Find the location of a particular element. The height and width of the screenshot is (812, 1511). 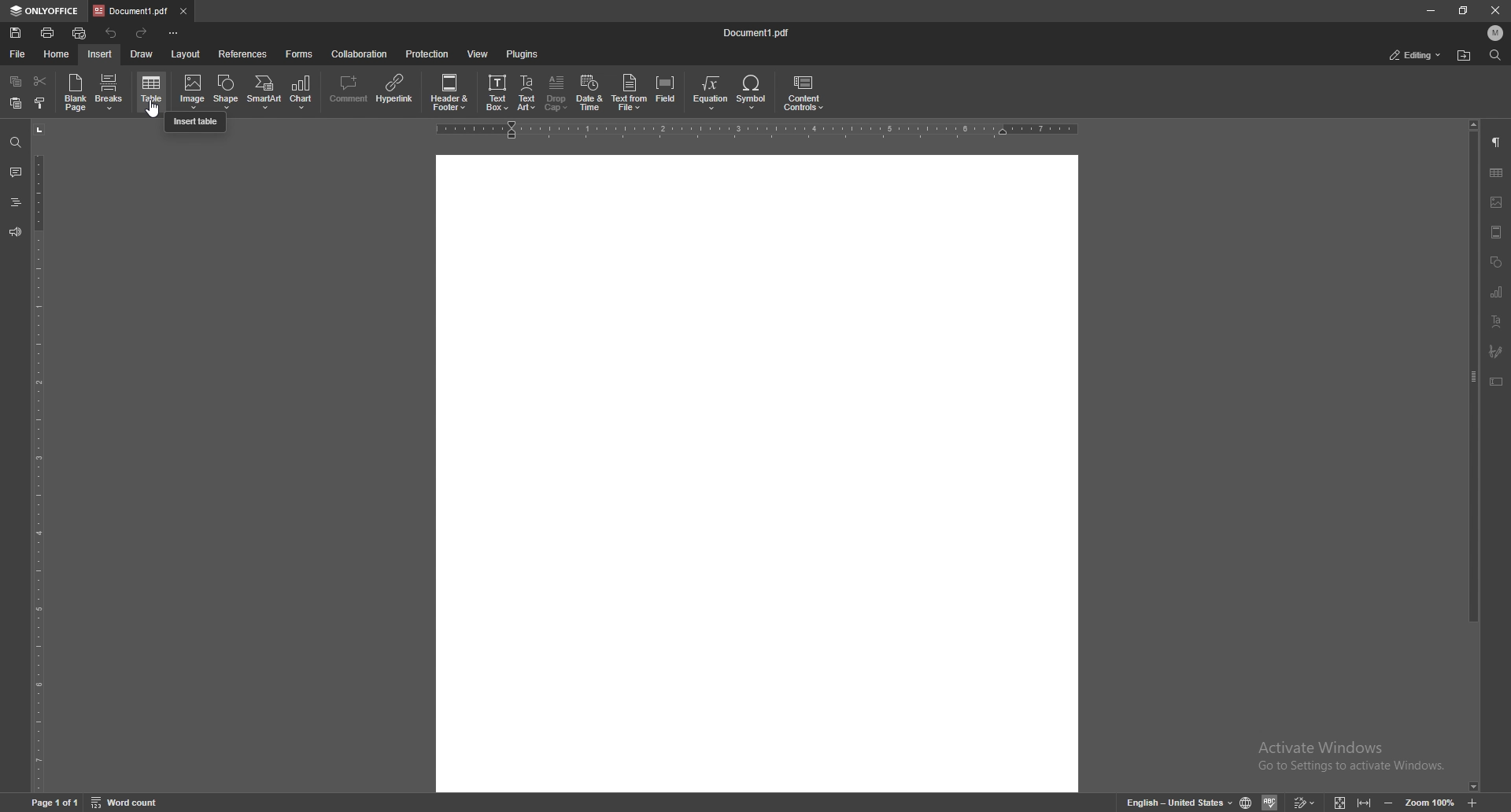

symbol is located at coordinates (754, 94).